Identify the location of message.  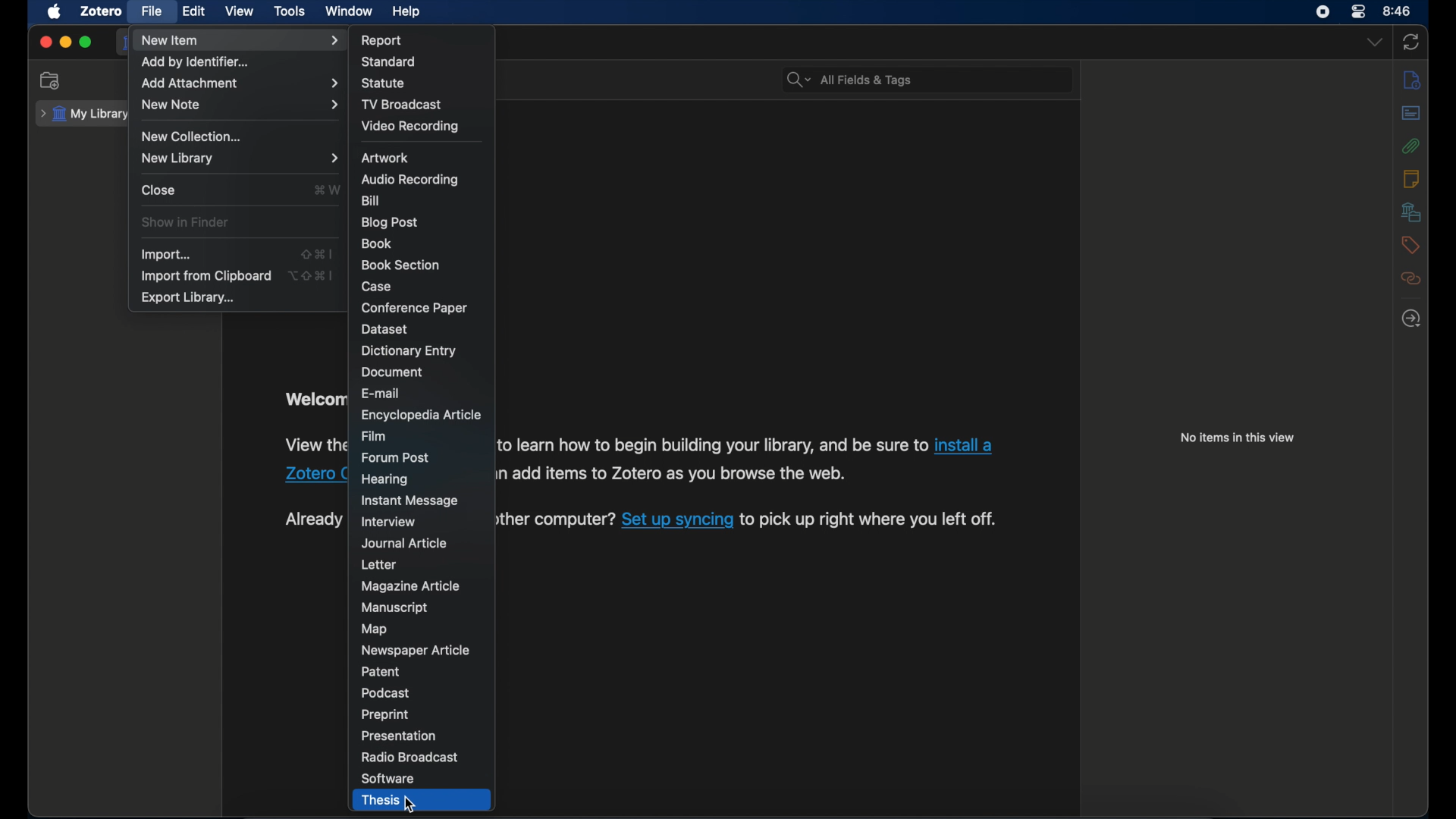
(411, 500).